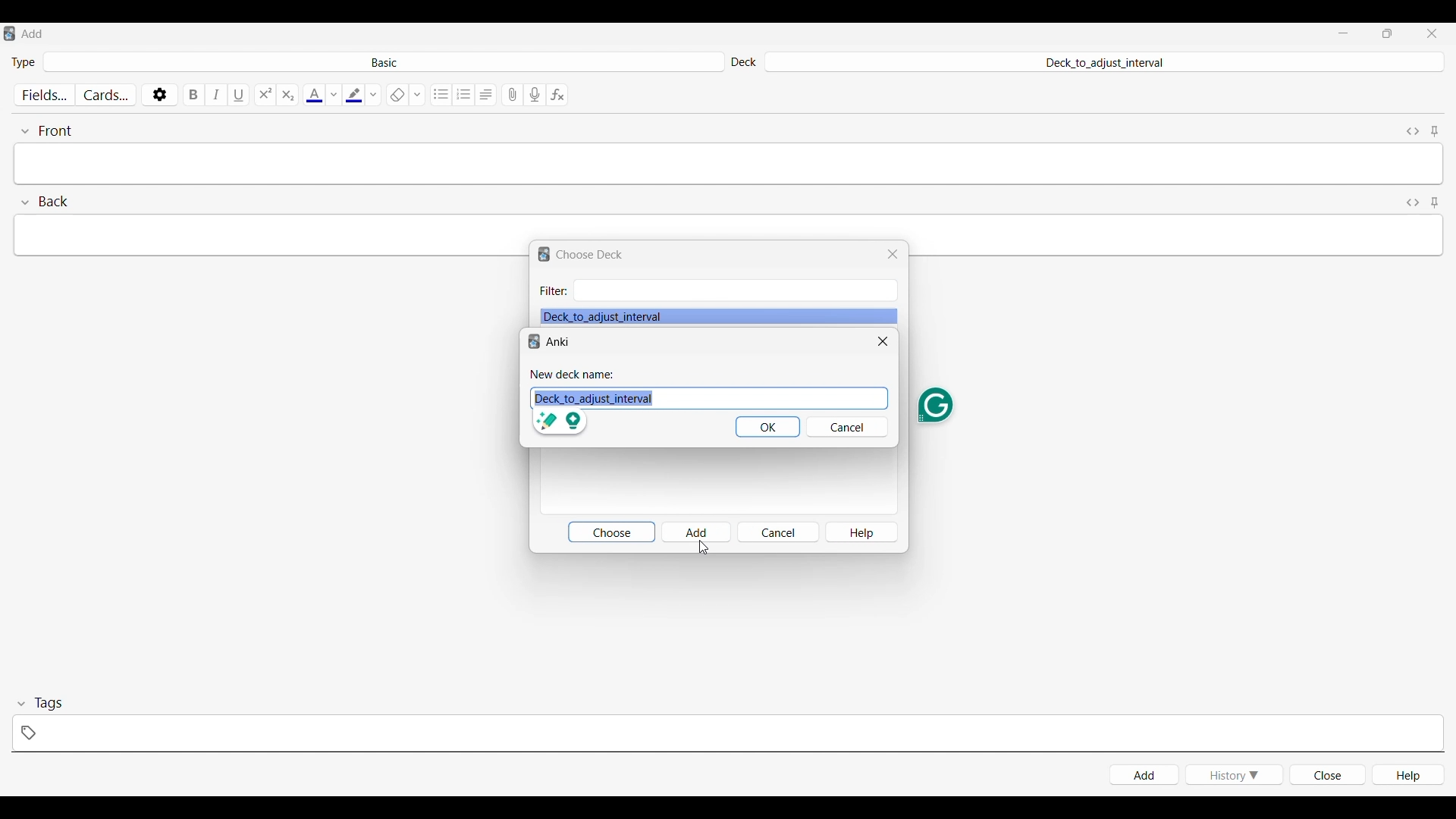  Describe the element at coordinates (610, 532) in the screenshot. I see `Choose` at that location.